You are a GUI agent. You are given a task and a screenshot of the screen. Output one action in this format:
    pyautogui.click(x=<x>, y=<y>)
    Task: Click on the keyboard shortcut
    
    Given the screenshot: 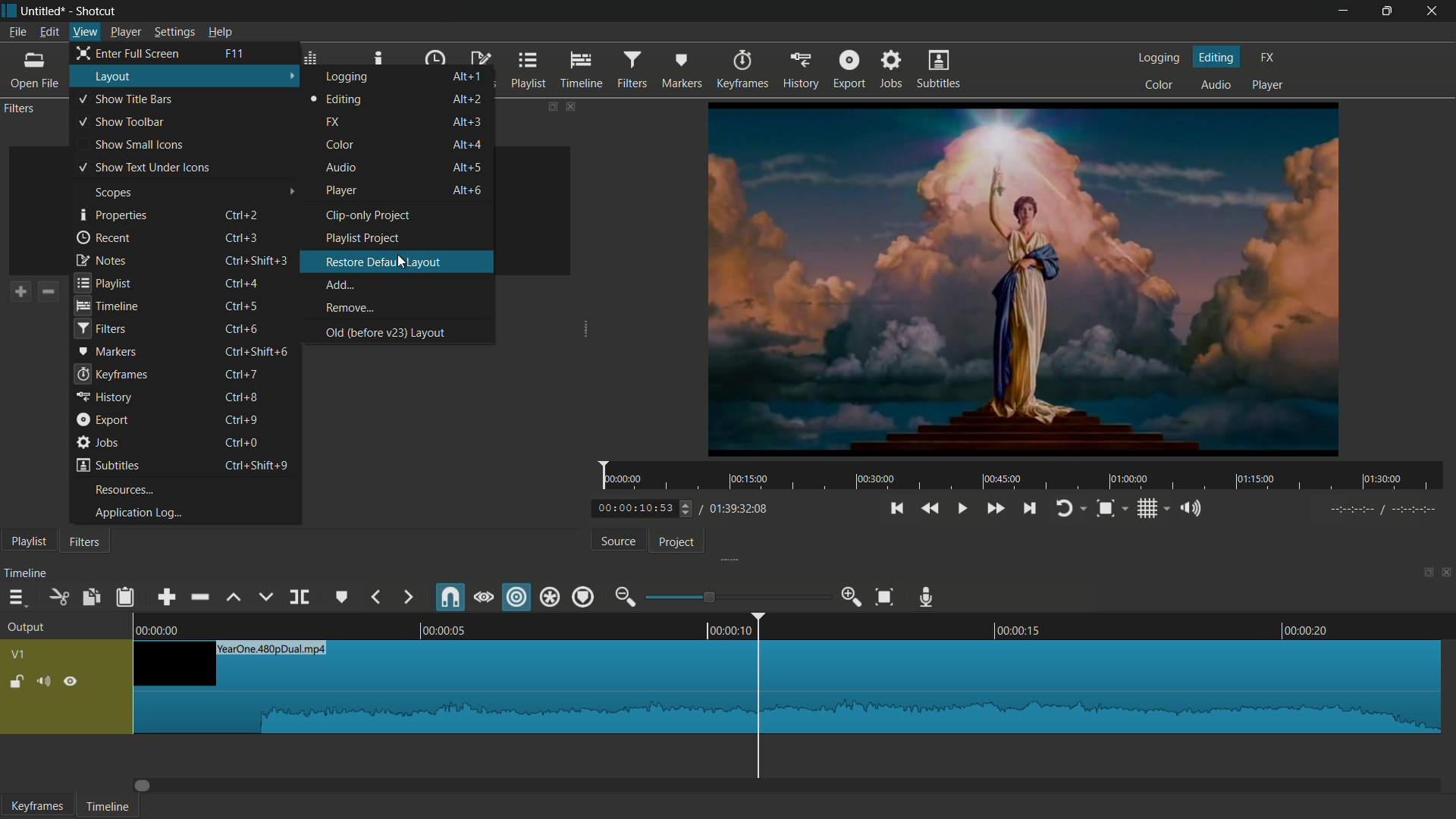 What is the action you would take?
    pyautogui.click(x=467, y=143)
    